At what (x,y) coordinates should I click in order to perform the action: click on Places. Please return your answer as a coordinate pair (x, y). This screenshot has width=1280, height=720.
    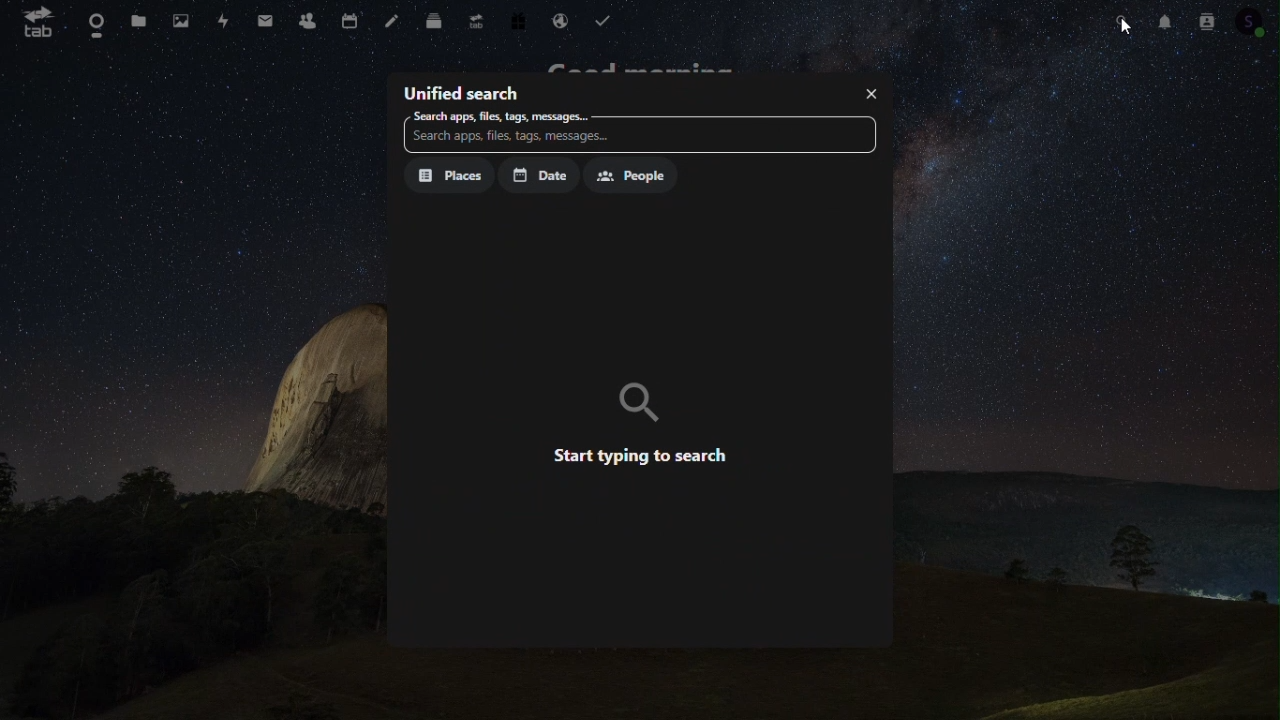
    Looking at the image, I should click on (449, 177).